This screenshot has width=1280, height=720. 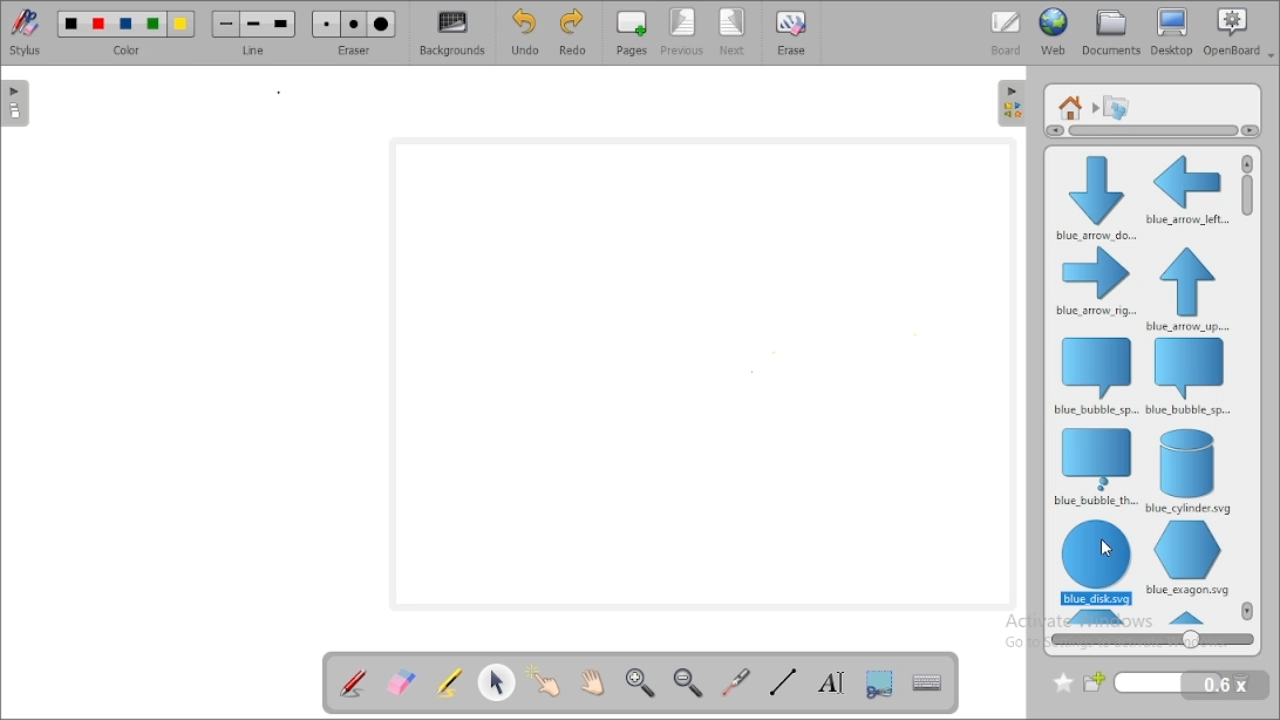 I want to click on draw lines, so click(x=782, y=682).